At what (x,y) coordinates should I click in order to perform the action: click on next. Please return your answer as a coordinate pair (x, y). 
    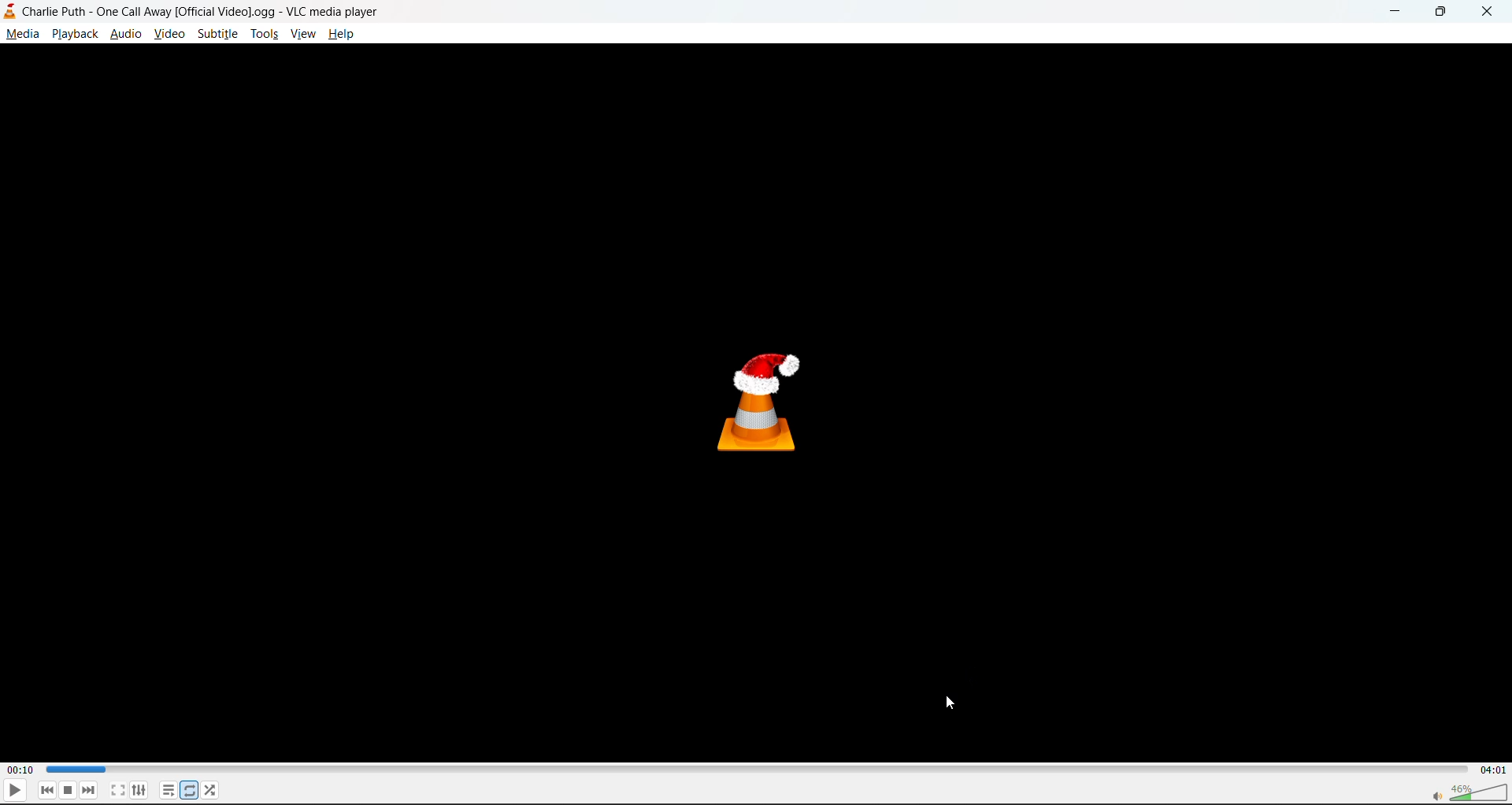
    Looking at the image, I should click on (87, 792).